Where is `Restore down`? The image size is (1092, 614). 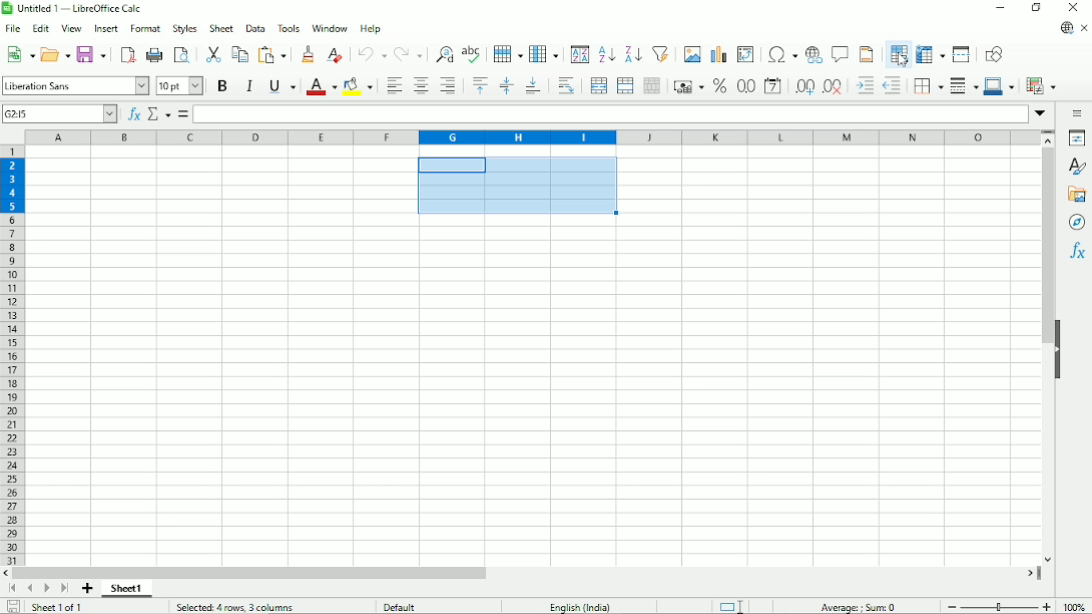 Restore down is located at coordinates (1037, 9).